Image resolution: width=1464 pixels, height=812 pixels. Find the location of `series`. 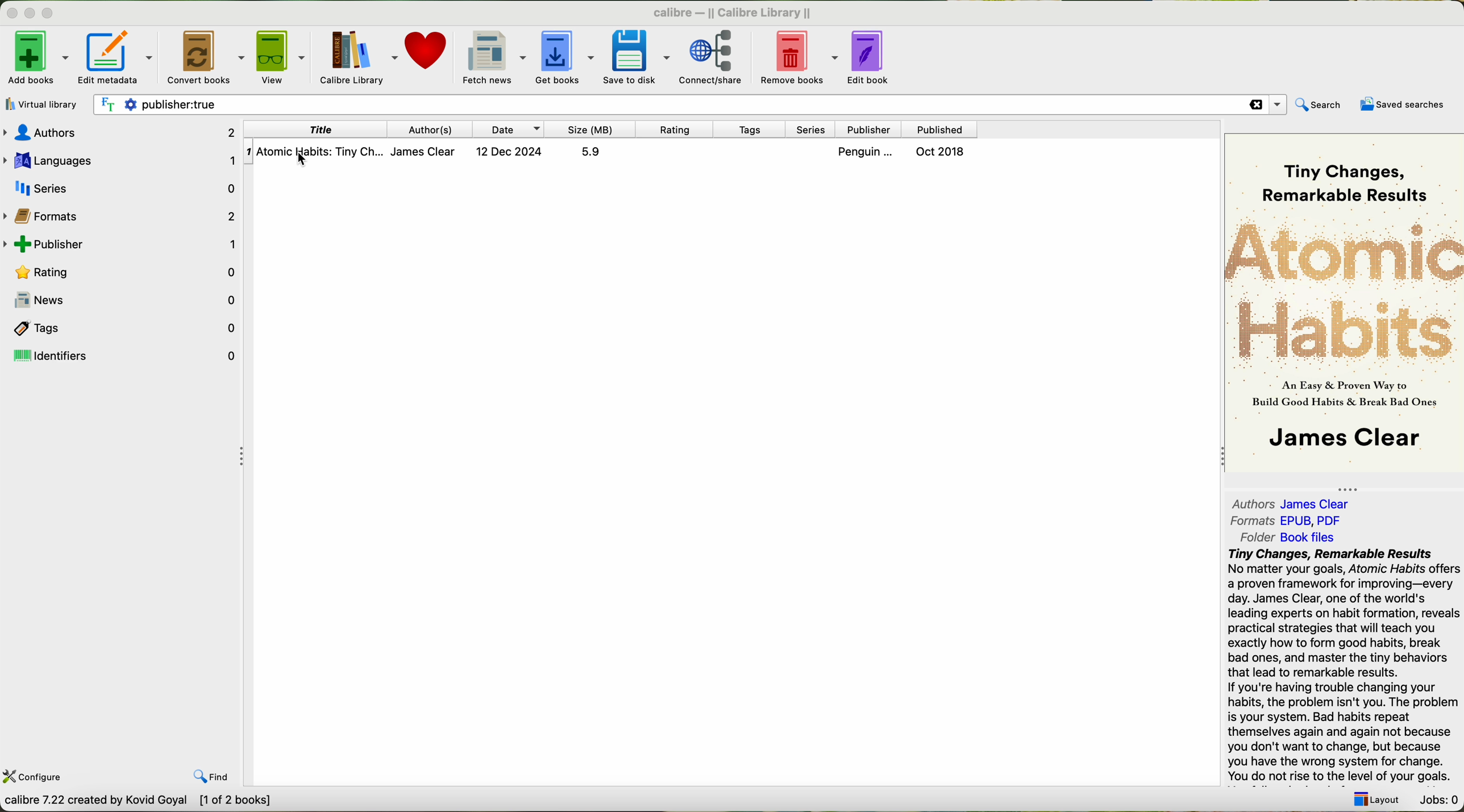

series is located at coordinates (123, 188).